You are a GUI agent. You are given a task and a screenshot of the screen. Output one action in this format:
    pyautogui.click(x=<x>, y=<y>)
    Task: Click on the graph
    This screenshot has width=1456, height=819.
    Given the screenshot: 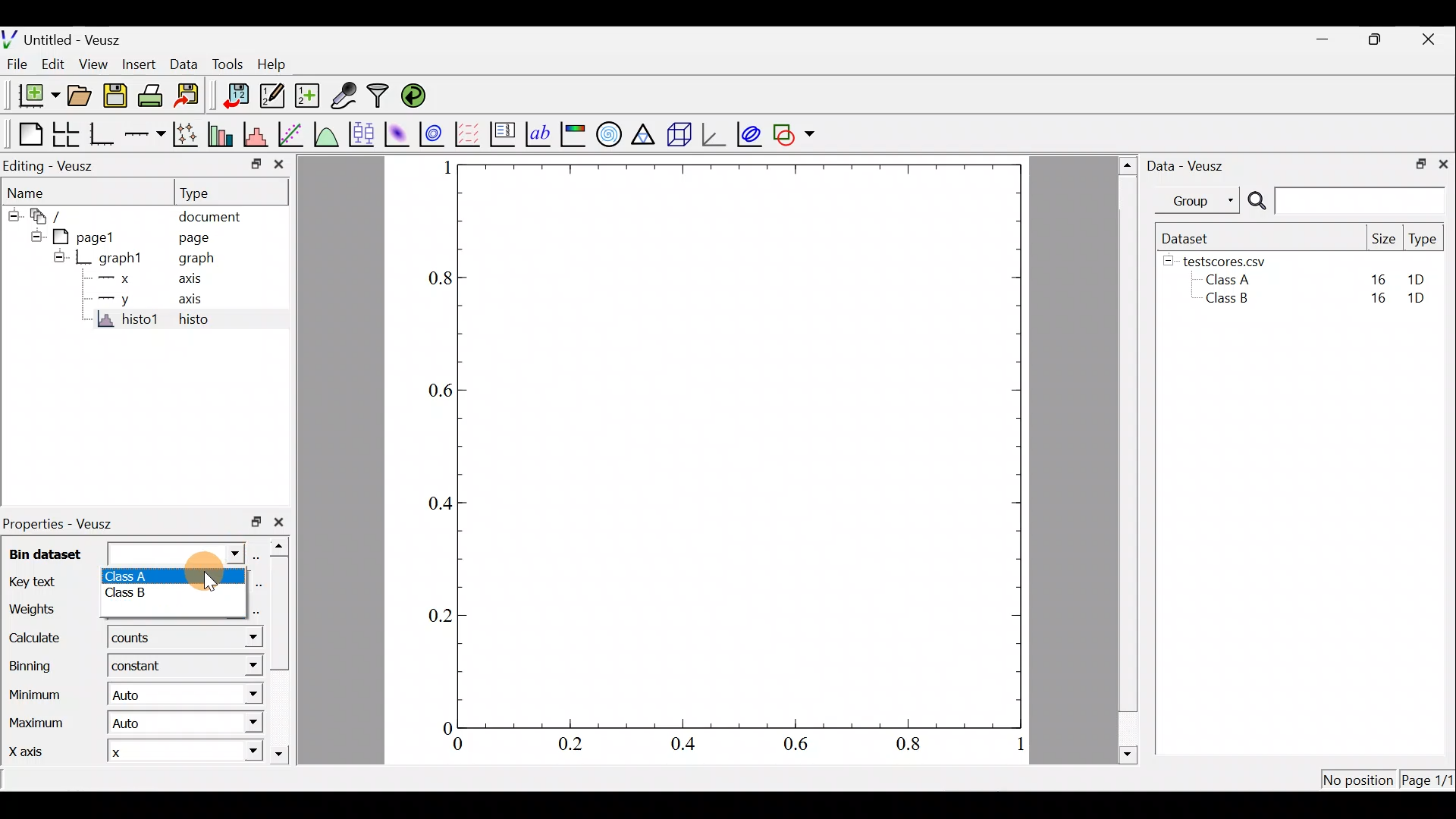 What is the action you would take?
    pyautogui.click(x=203, y=259)
    